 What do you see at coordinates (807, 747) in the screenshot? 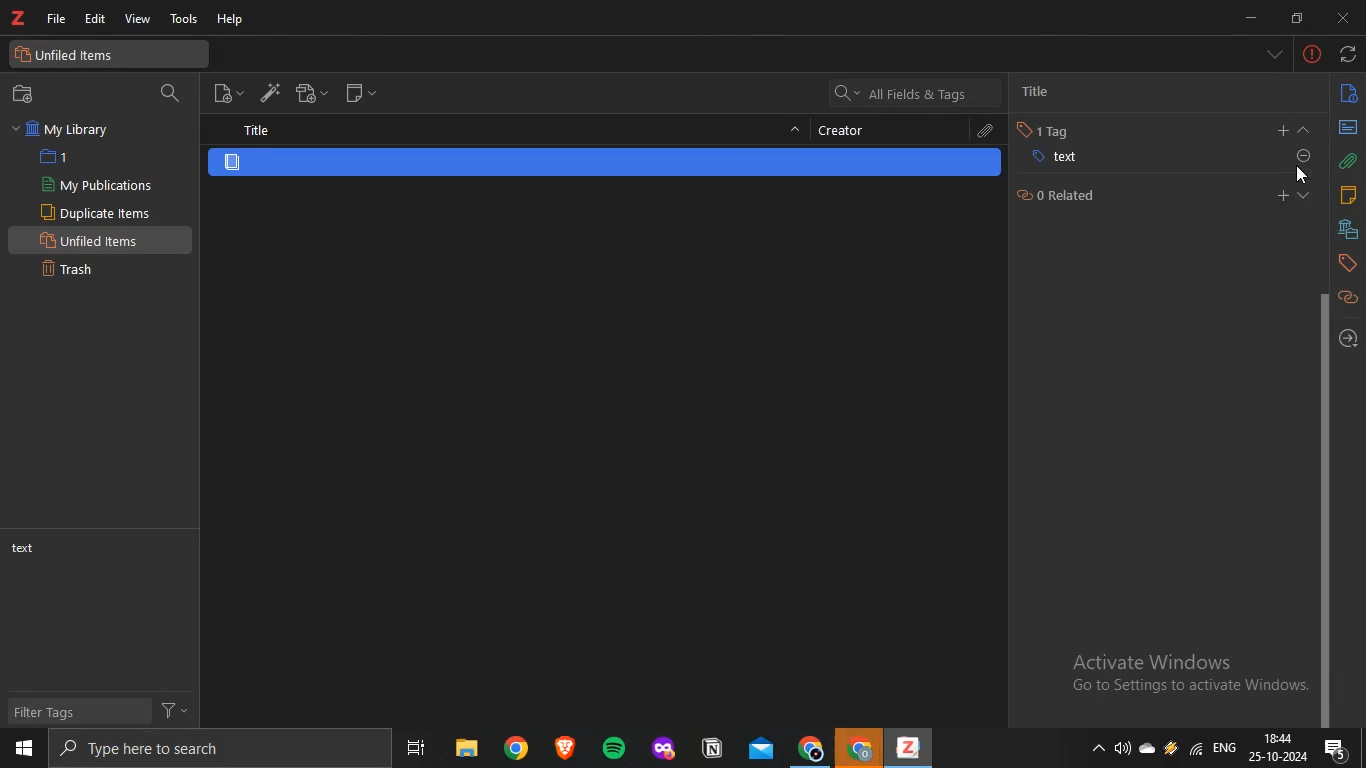
I see `chrome` at bounding box center [807, 747].